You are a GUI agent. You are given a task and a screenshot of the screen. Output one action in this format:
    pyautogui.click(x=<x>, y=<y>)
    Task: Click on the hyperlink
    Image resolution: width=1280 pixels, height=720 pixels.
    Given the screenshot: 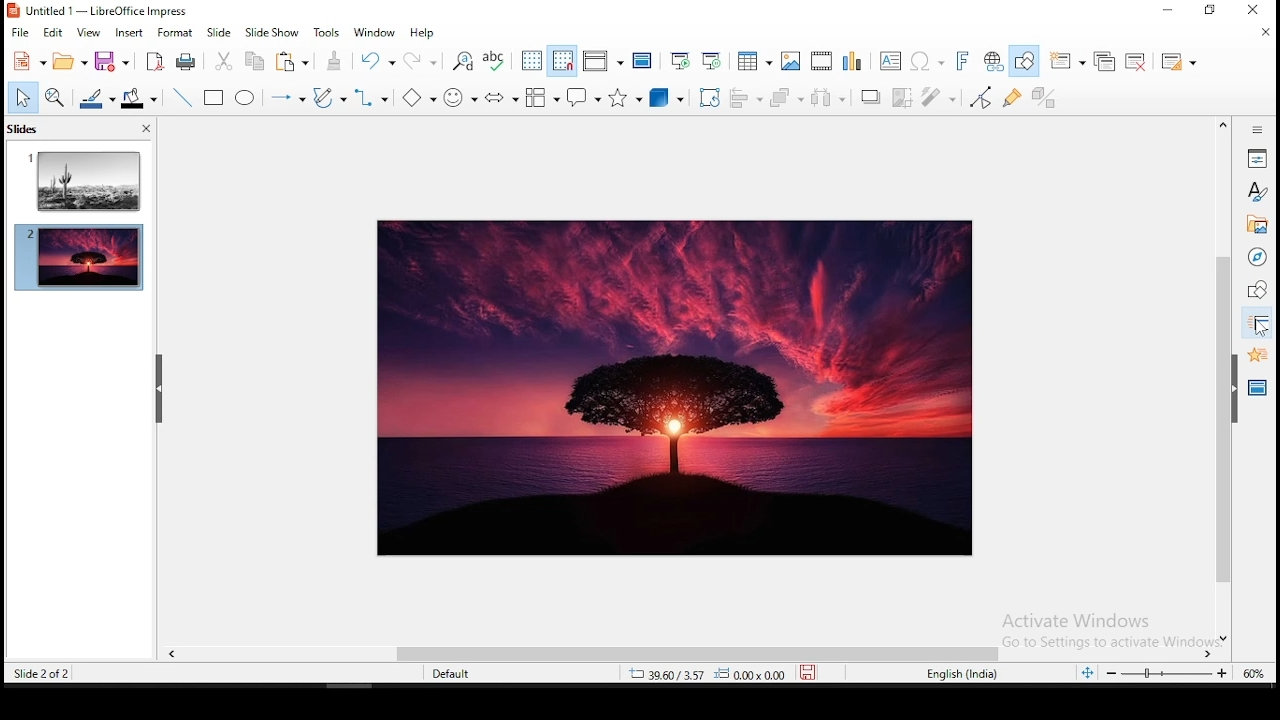 What is the action you would take?
    pyautogui.click(x=995, y=61)
    